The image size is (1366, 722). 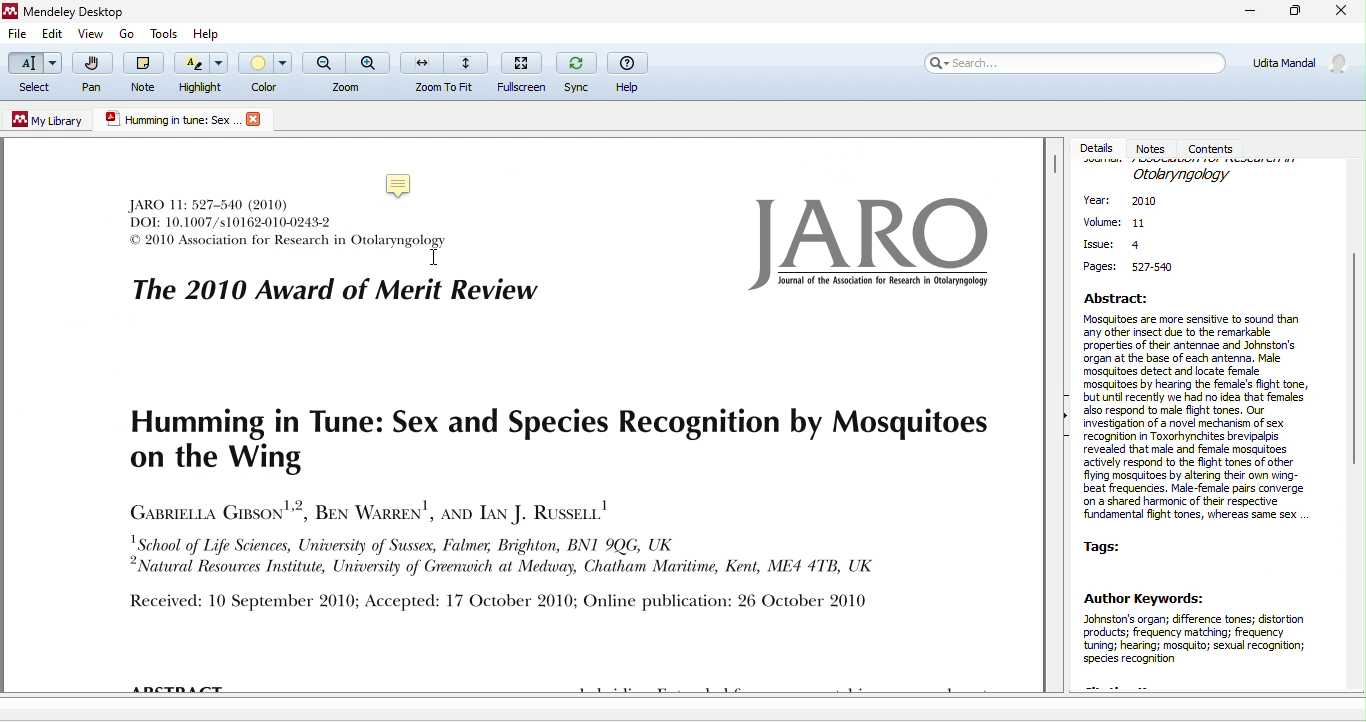 I want to click on view, so click(x=91, y=35).